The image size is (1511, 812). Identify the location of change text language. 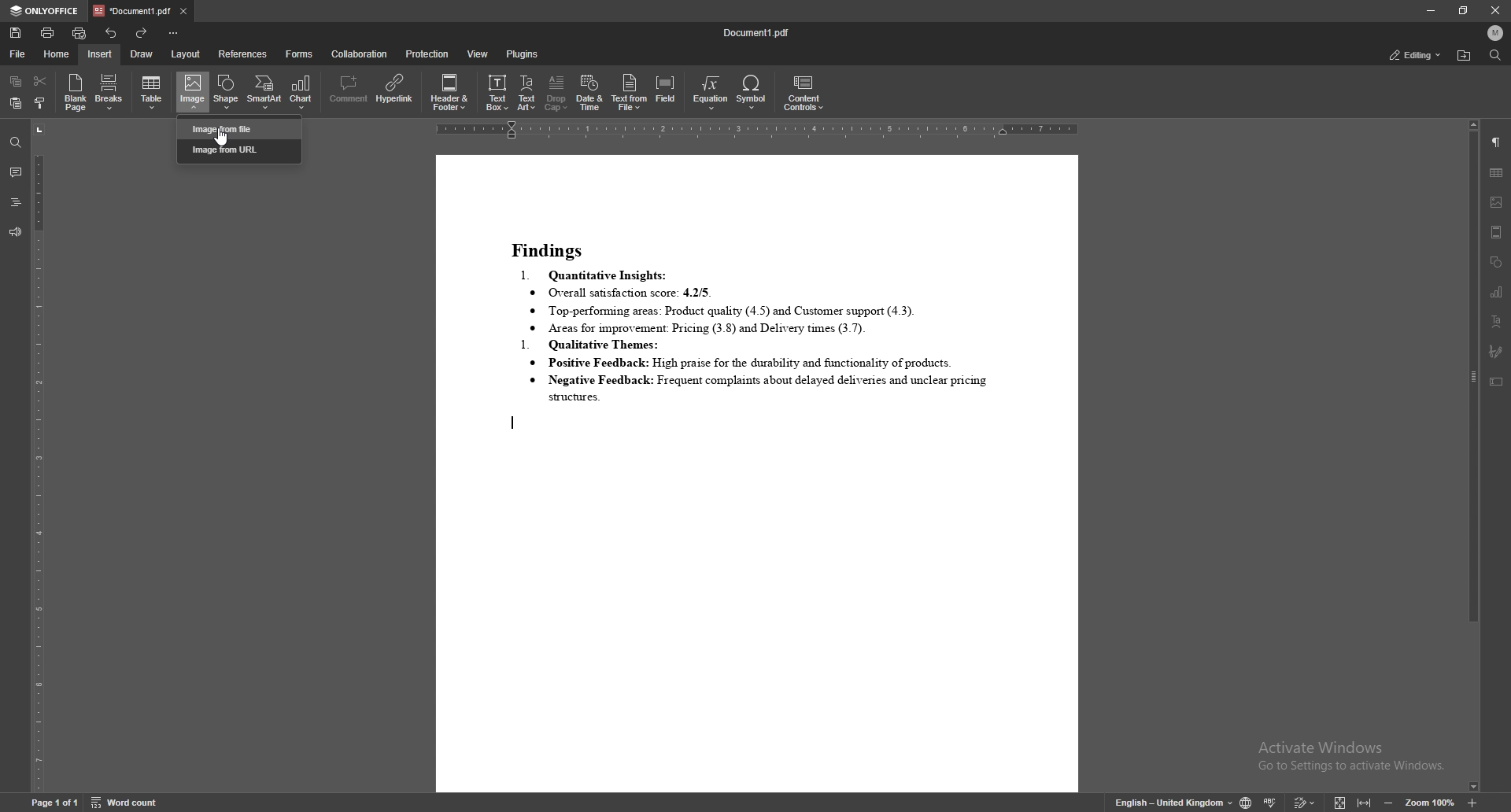
(1173, 803).